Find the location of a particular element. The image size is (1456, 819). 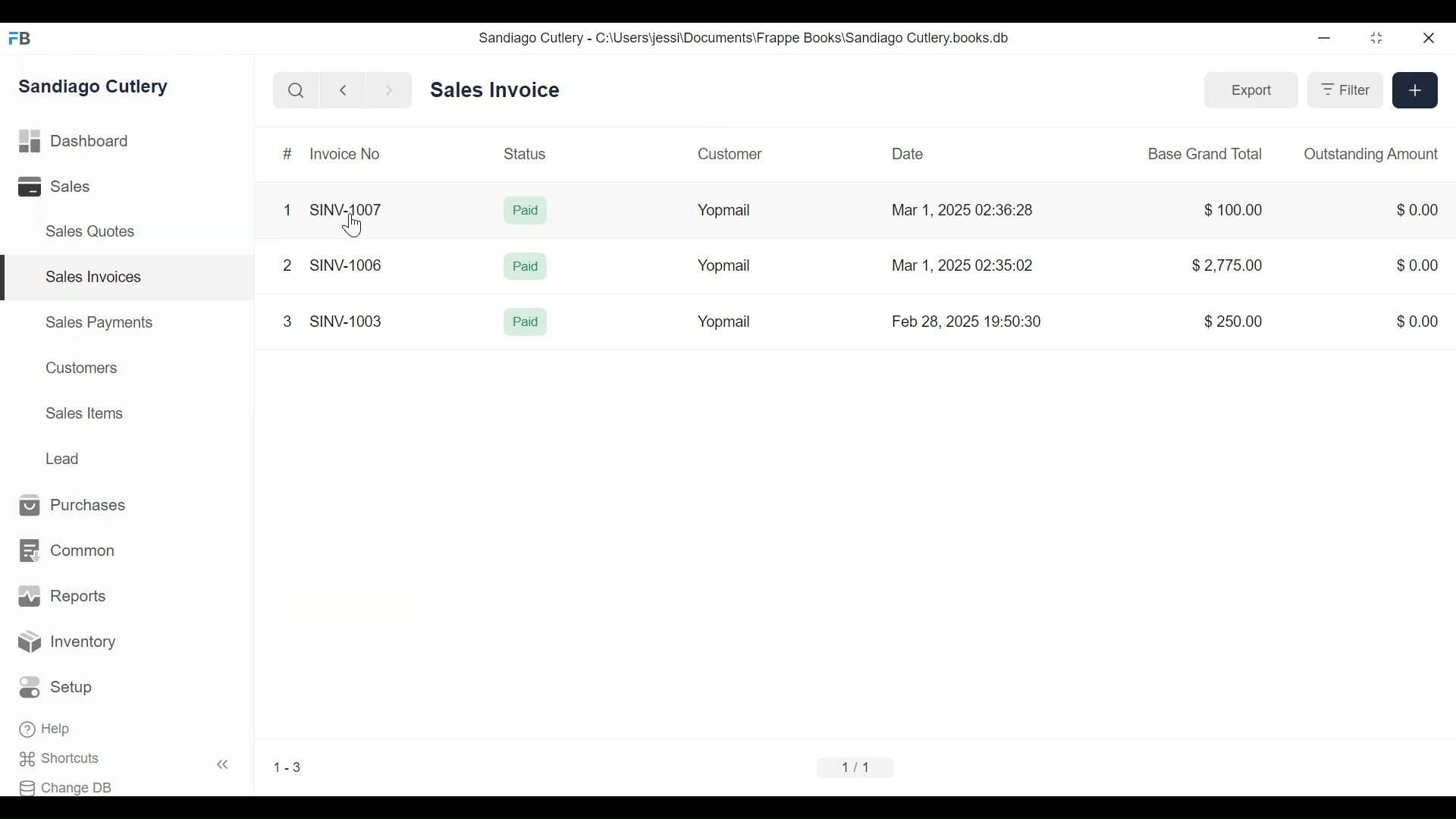

Cursor is located at coordinates (352, 226).